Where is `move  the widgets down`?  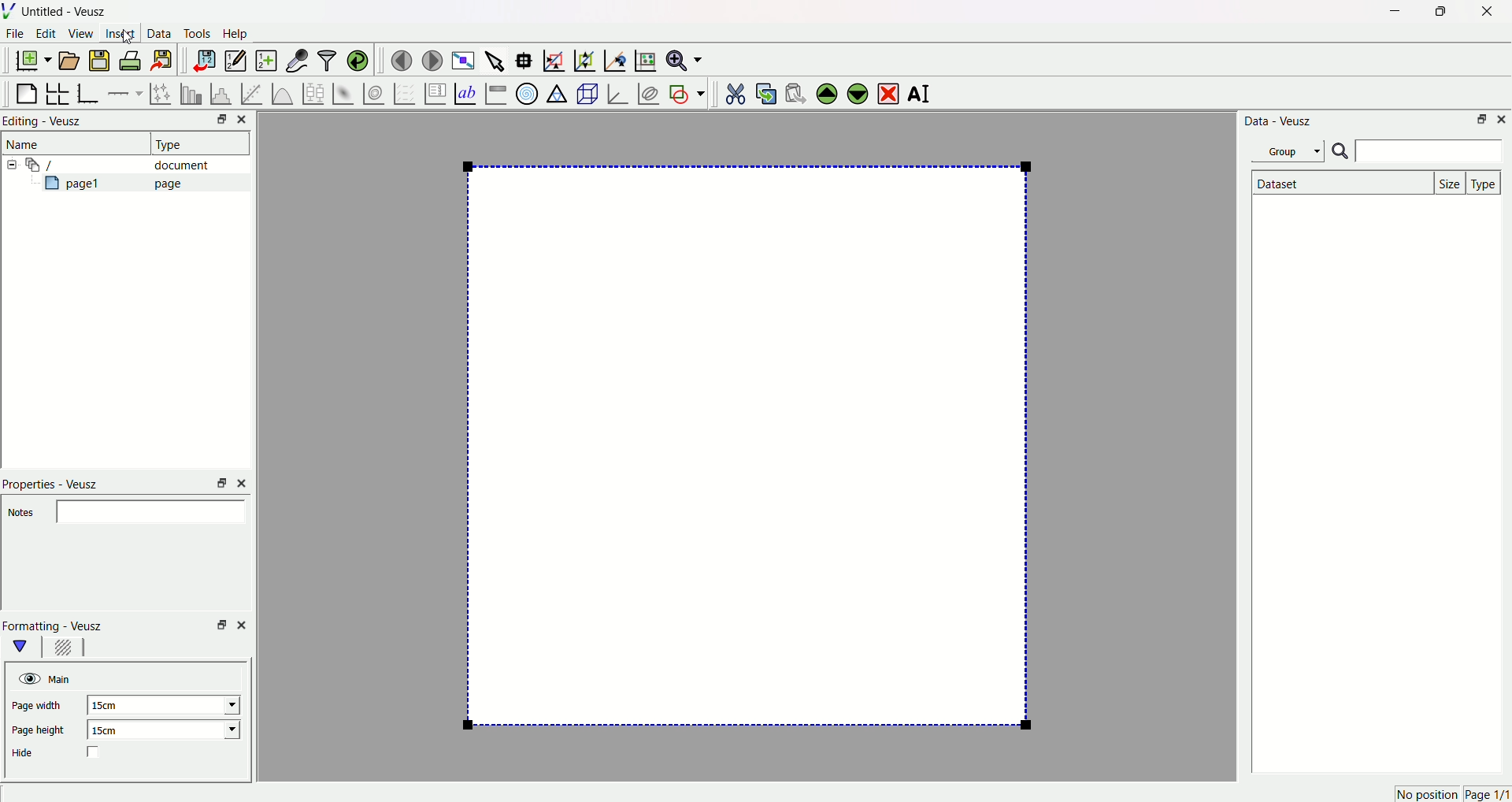
move  the widgets down is located at coordinates (855, 93).